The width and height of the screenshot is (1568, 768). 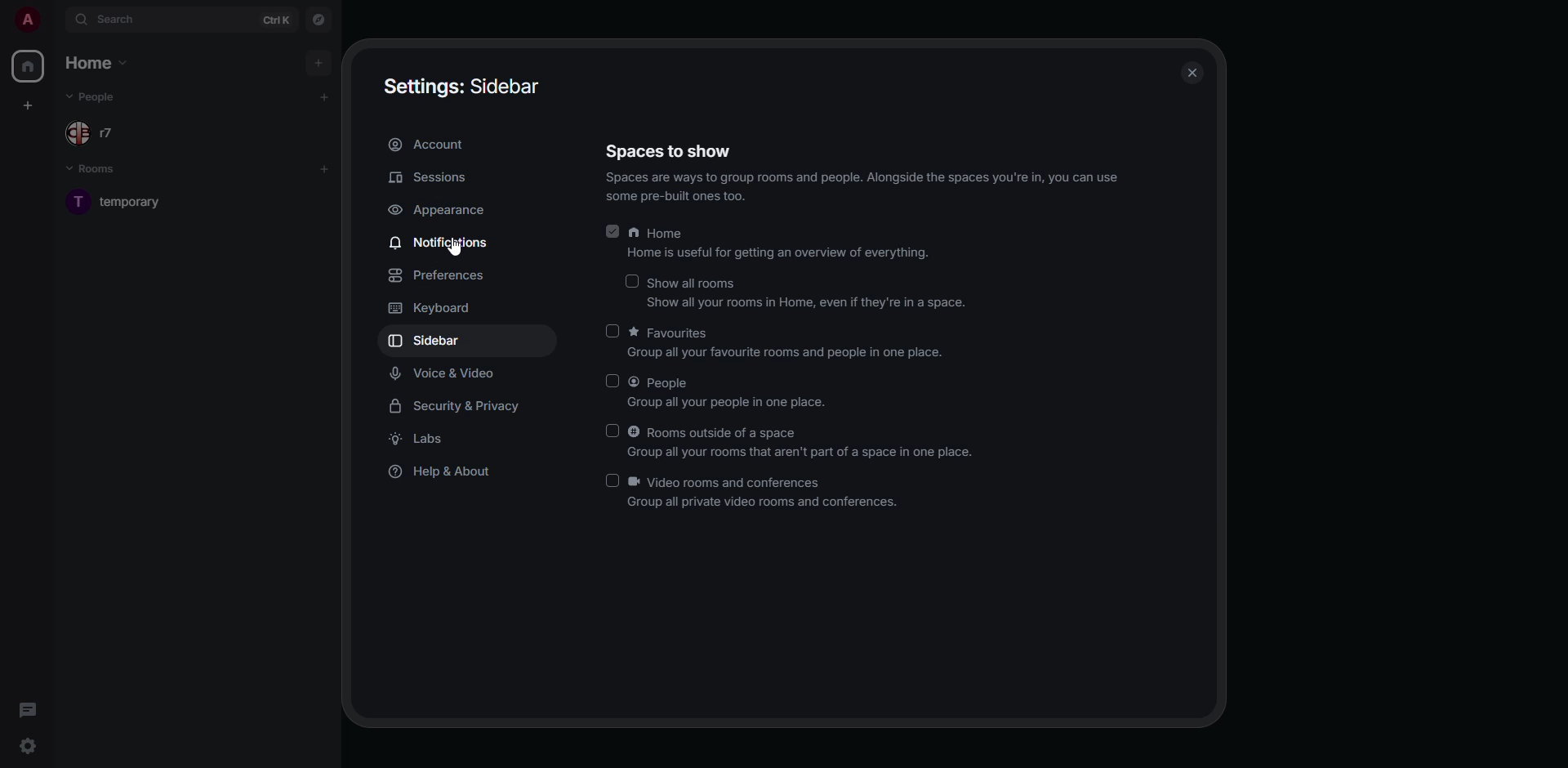 What do you see at coordinates (94, 96) in the screenshot?
I see `people` at bounding box center [94, 96].